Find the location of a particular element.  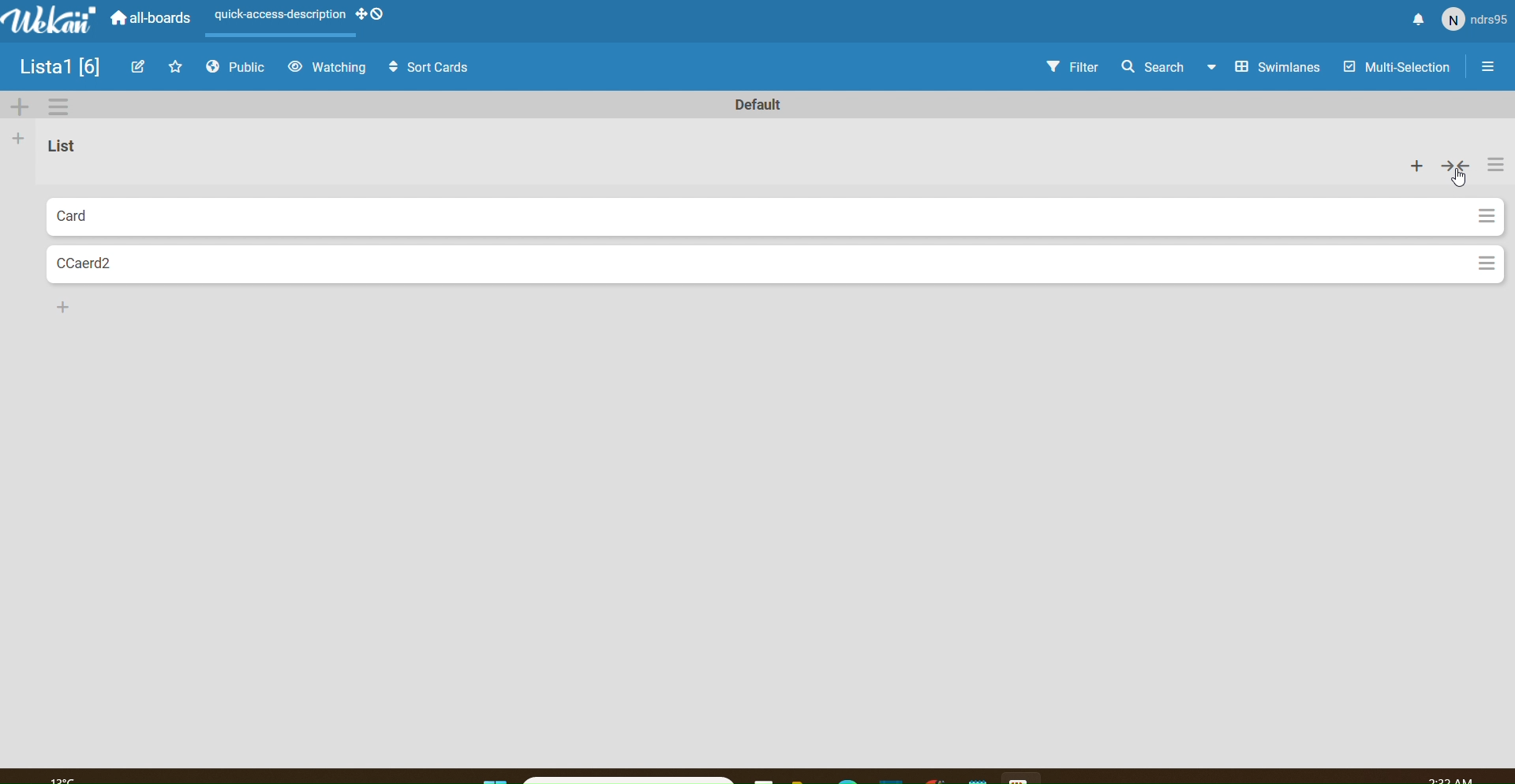

Sort Cards is located at coordinates (432, 68).